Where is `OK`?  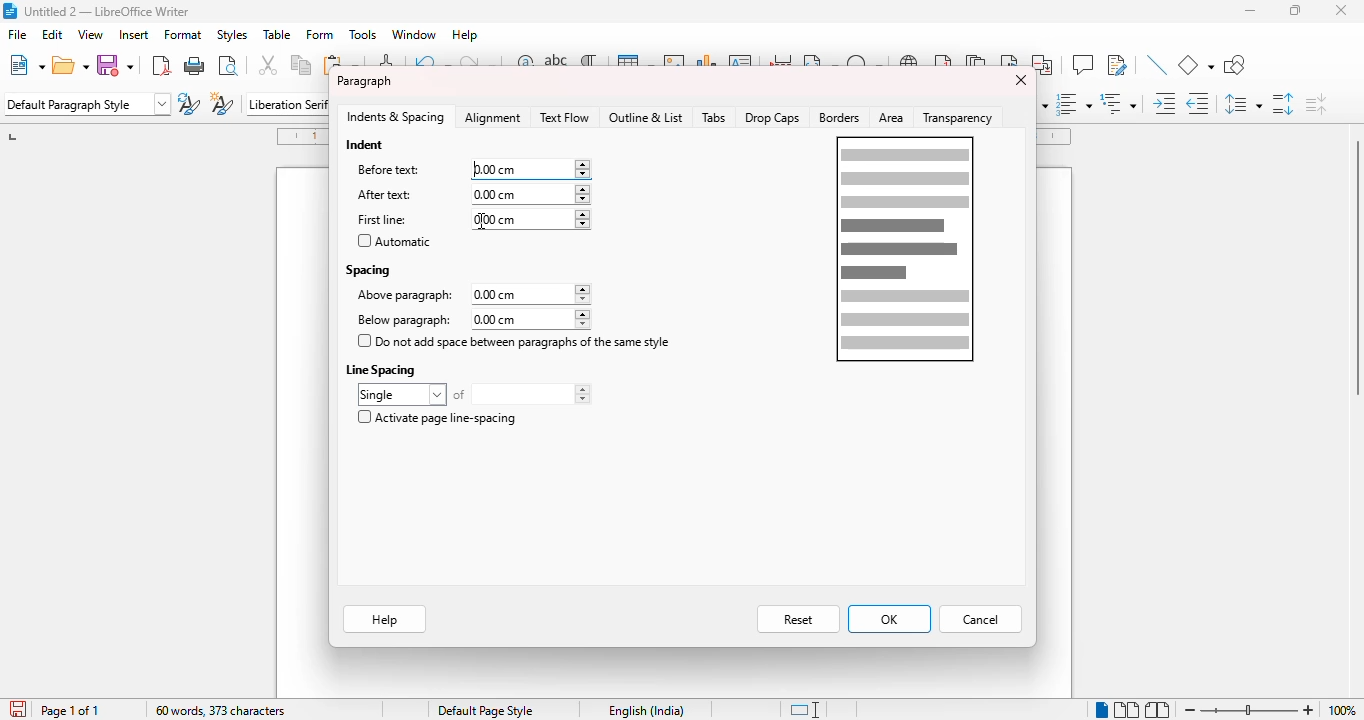 OK is located at coordinates (889, 619).